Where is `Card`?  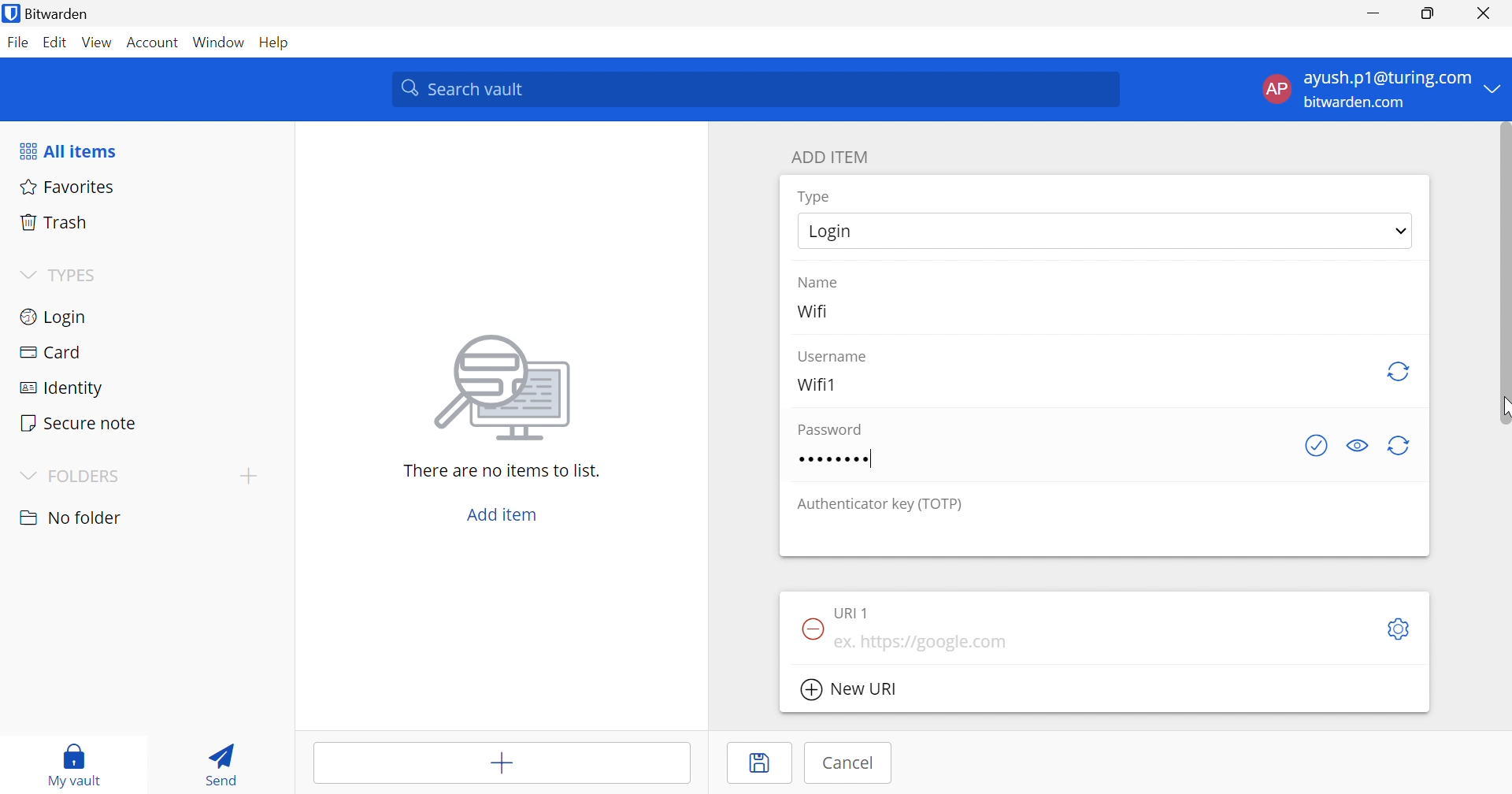 Card is located at coordinates (50, 352).